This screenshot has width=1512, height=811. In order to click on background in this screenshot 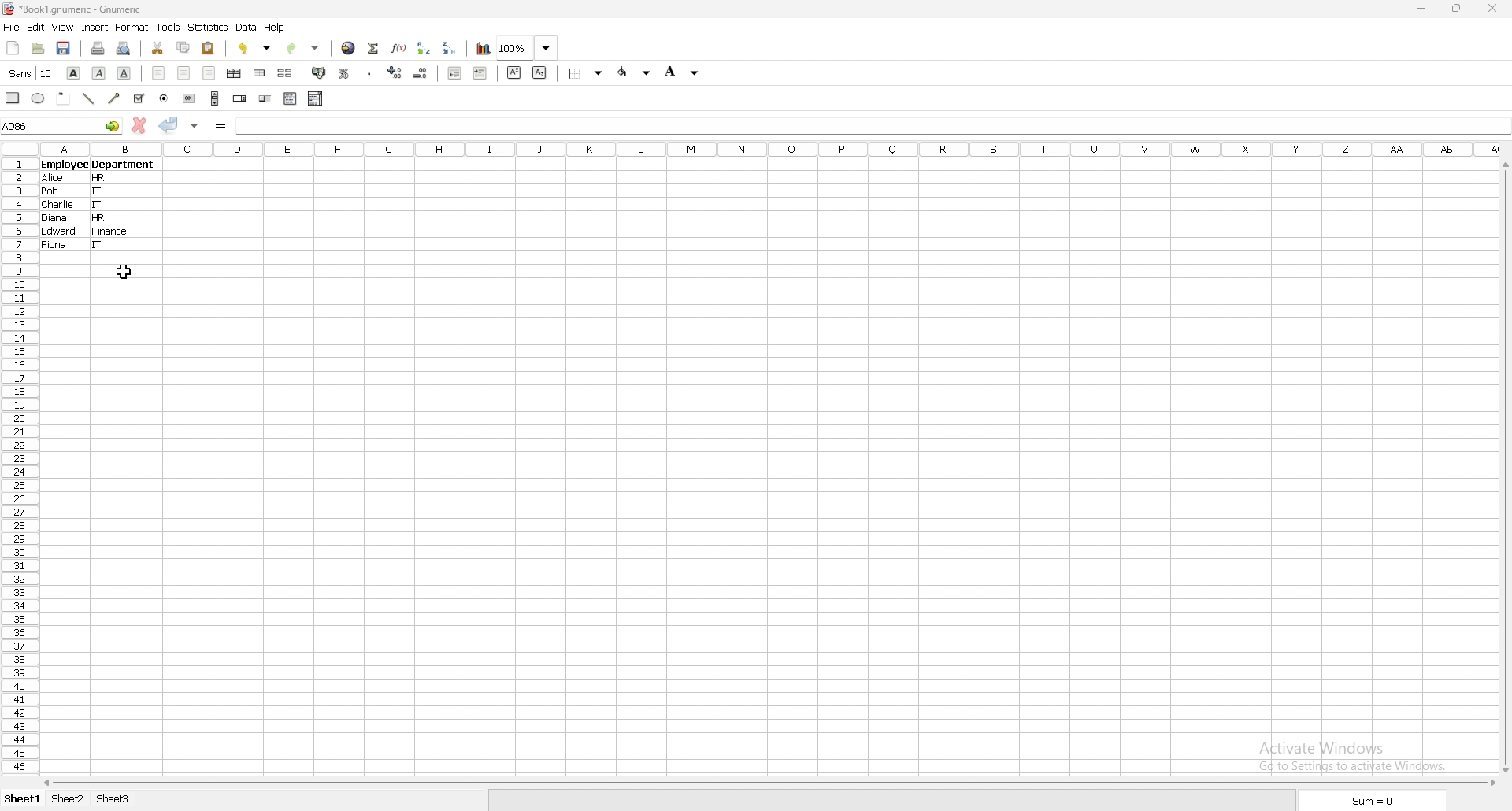, I will do `click(682, 72)`.